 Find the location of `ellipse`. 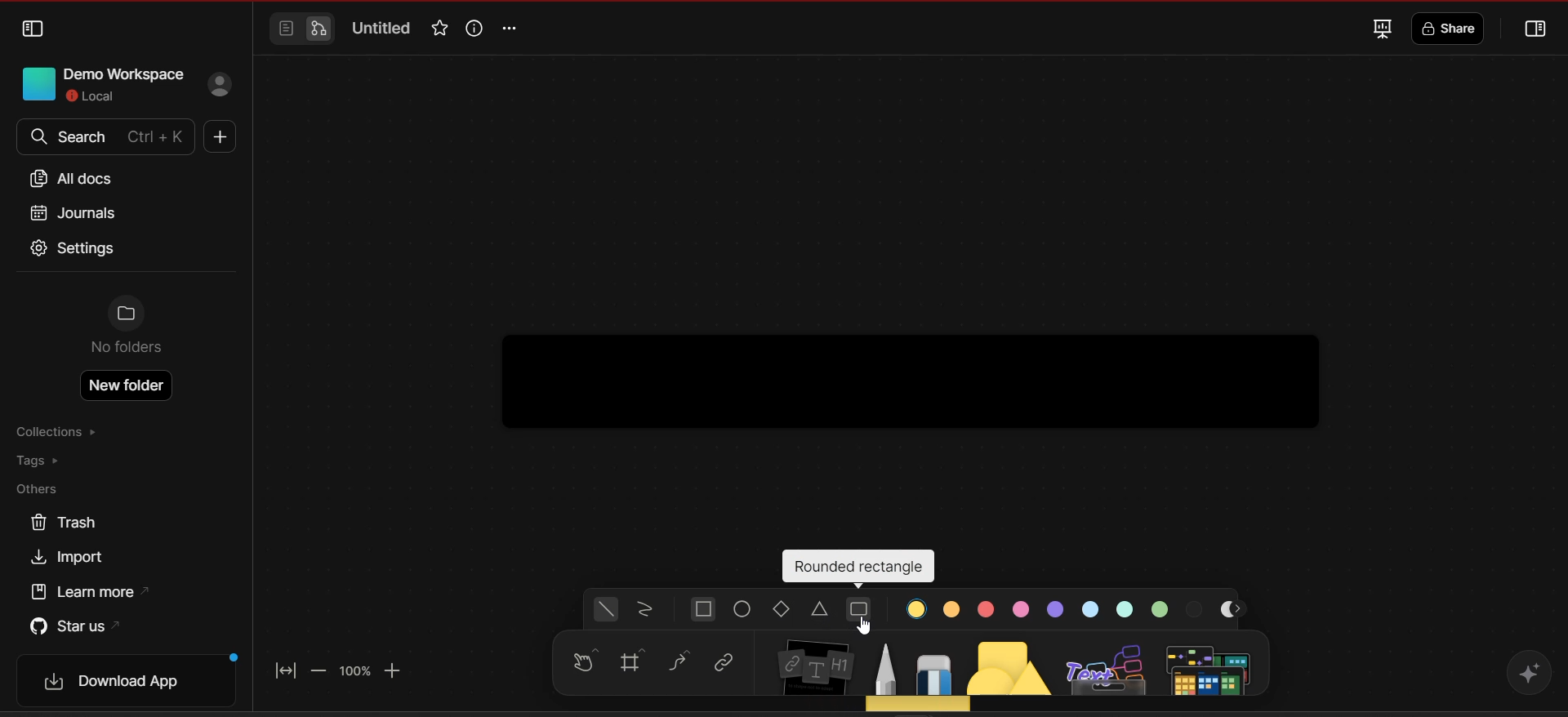

ellipse is located at coordinates (744, 609).